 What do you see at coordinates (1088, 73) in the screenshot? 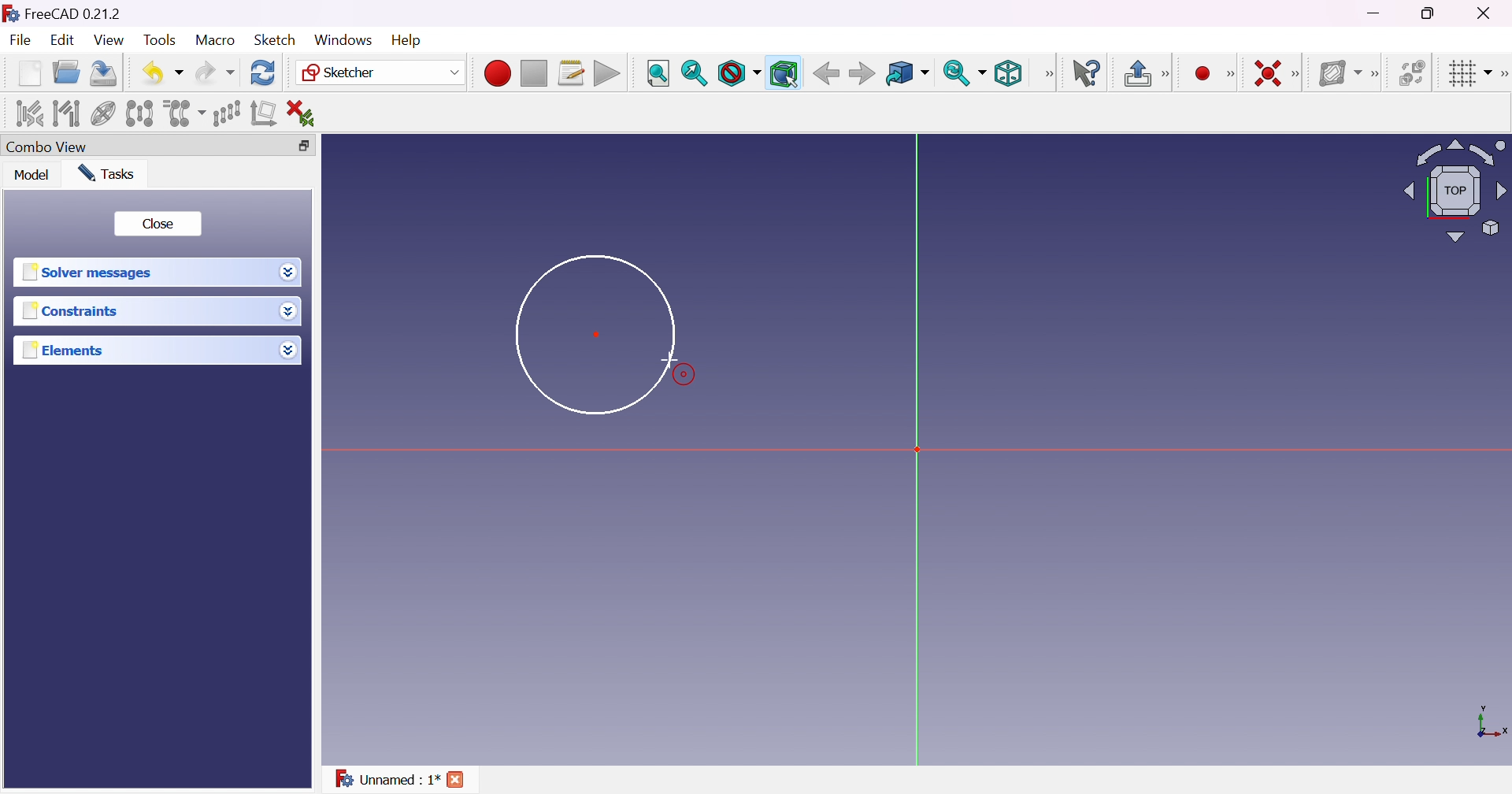
I see `What's this?` at bounding box center [1088, 73].